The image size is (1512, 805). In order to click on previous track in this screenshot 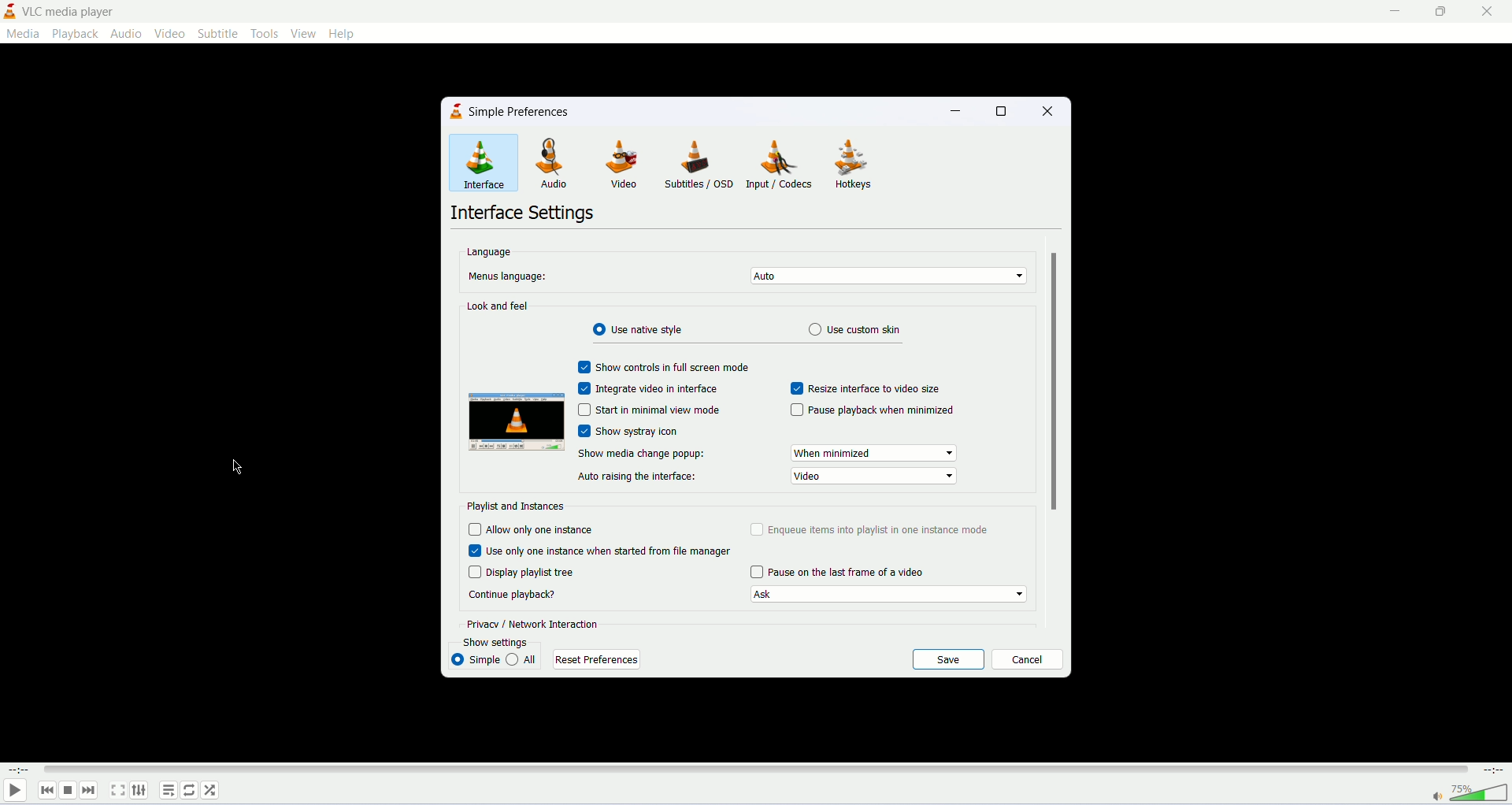, I will do `click(45, 790)`.